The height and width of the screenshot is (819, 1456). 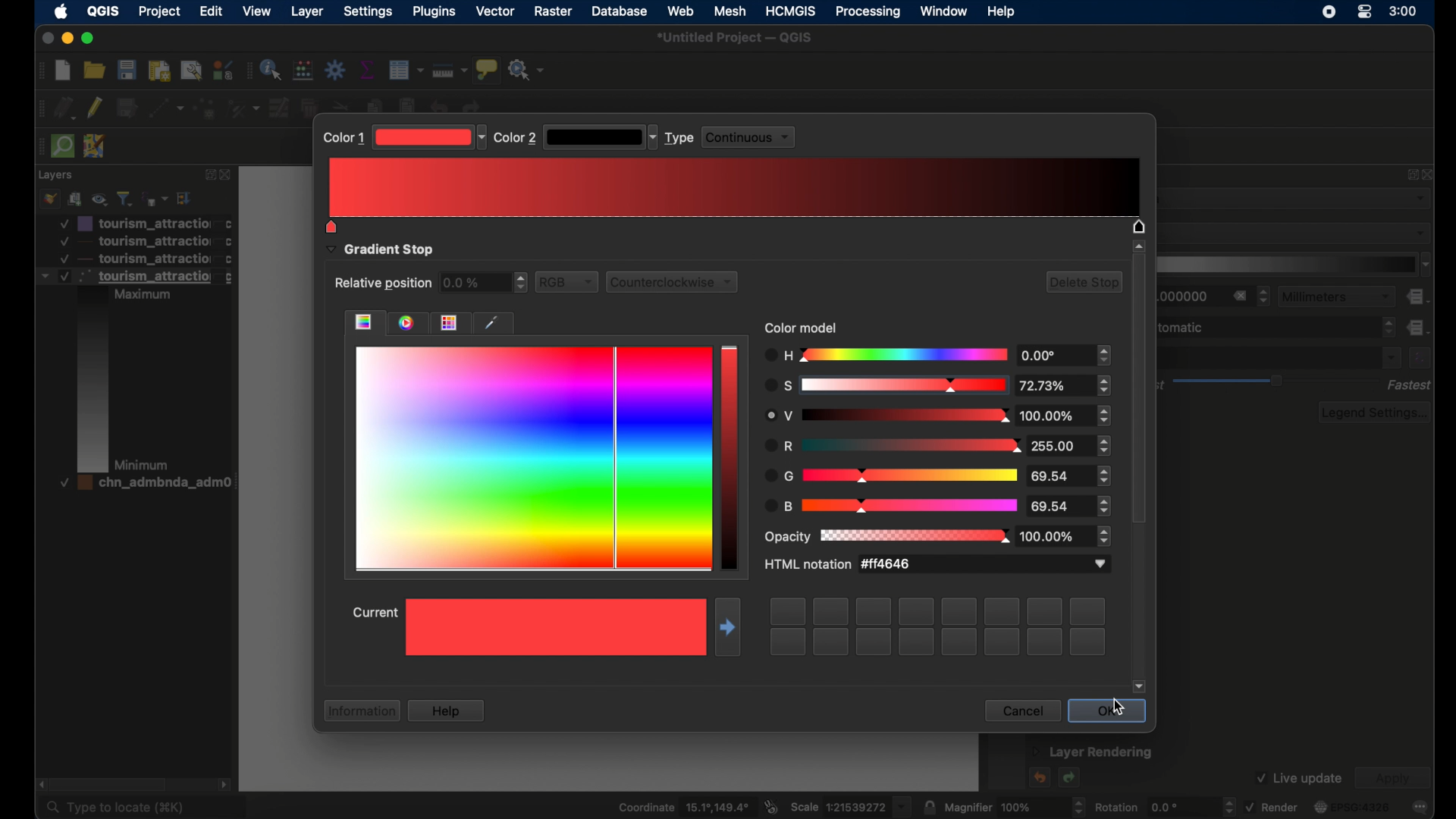 What do you see at coordinates (1278, 381) in the screenshot?
I see `rendering quality slider` at bounding box center [1278, 381].